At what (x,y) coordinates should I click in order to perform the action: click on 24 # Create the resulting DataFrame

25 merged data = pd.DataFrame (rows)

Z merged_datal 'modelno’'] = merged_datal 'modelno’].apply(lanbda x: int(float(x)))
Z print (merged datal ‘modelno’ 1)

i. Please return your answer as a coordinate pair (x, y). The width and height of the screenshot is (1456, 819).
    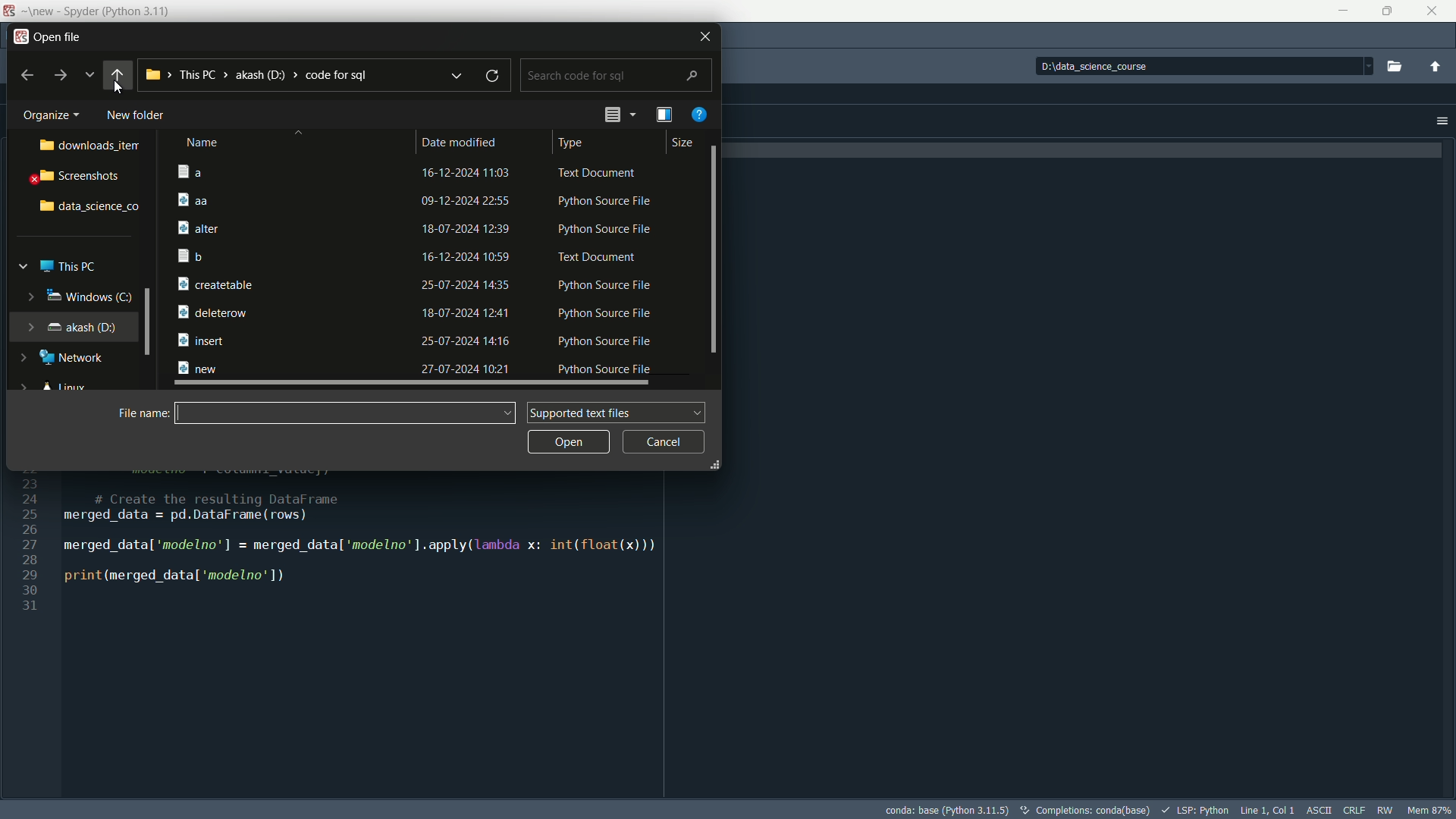
    Looking at the image, I should click on (342, 555).